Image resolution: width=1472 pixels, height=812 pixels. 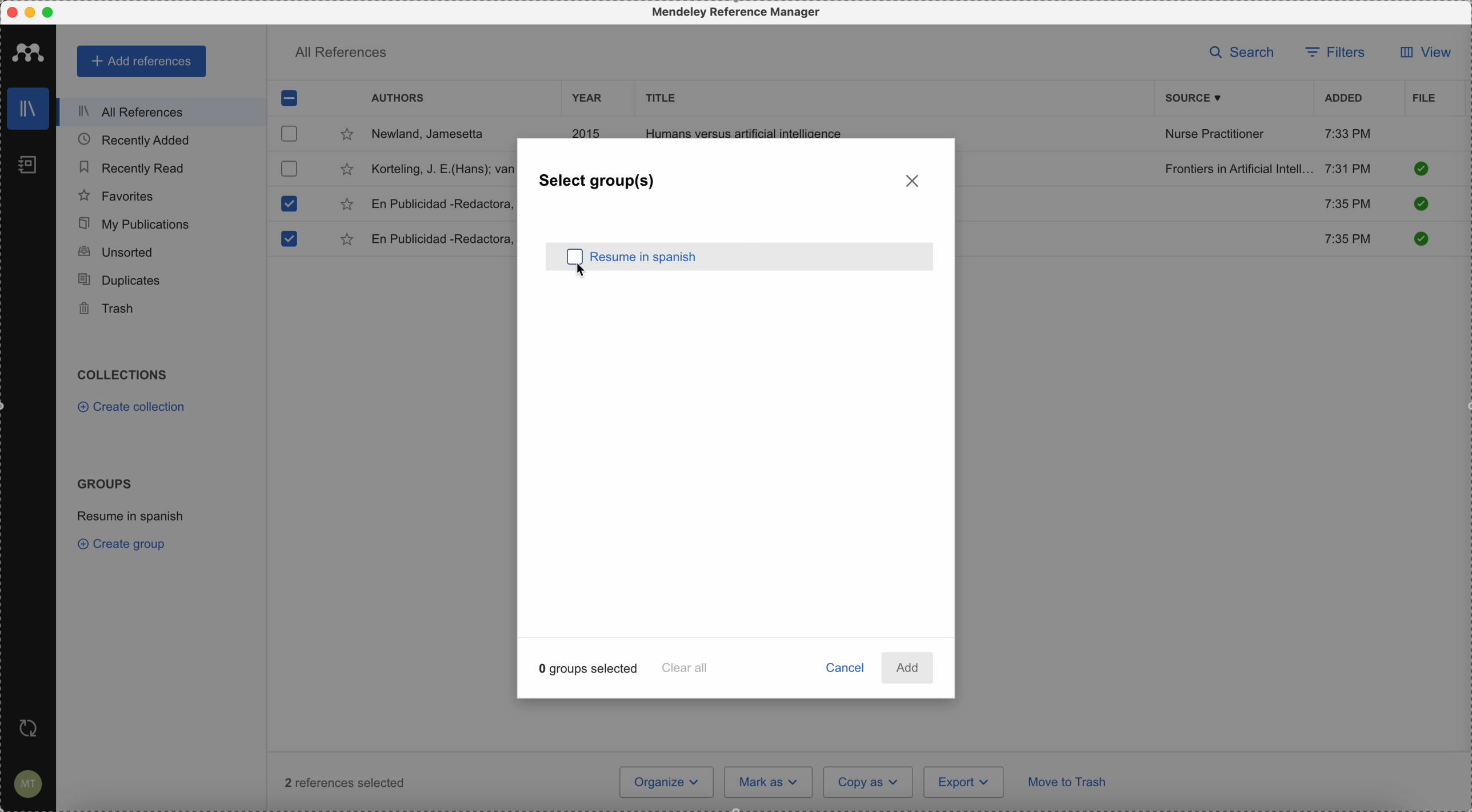 I want to click on trash, so click(x=109, y=309).